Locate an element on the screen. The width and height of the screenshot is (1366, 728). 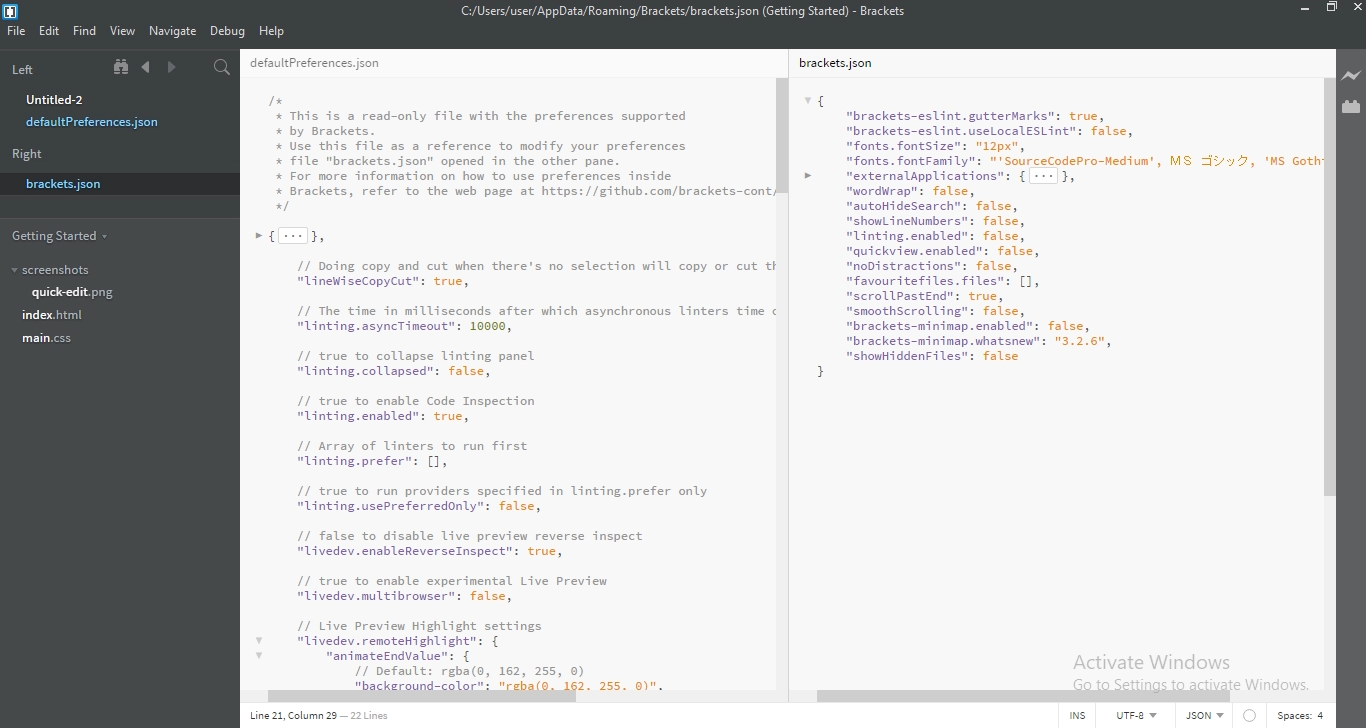
extension manager is located at coordinates (1351, 105).